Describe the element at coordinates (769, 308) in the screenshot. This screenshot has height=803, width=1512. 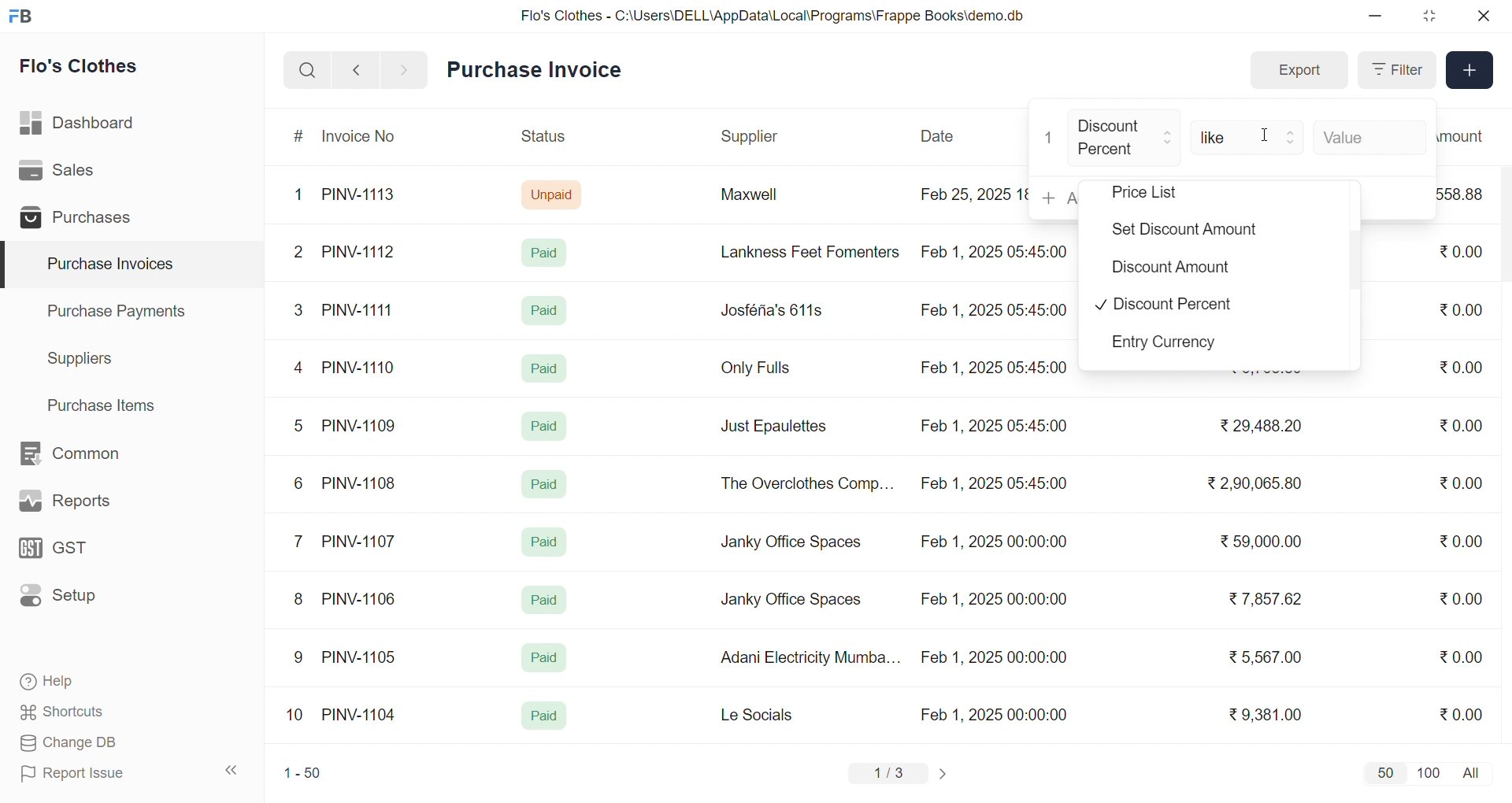
I see `Josféria's 611s` at that location.